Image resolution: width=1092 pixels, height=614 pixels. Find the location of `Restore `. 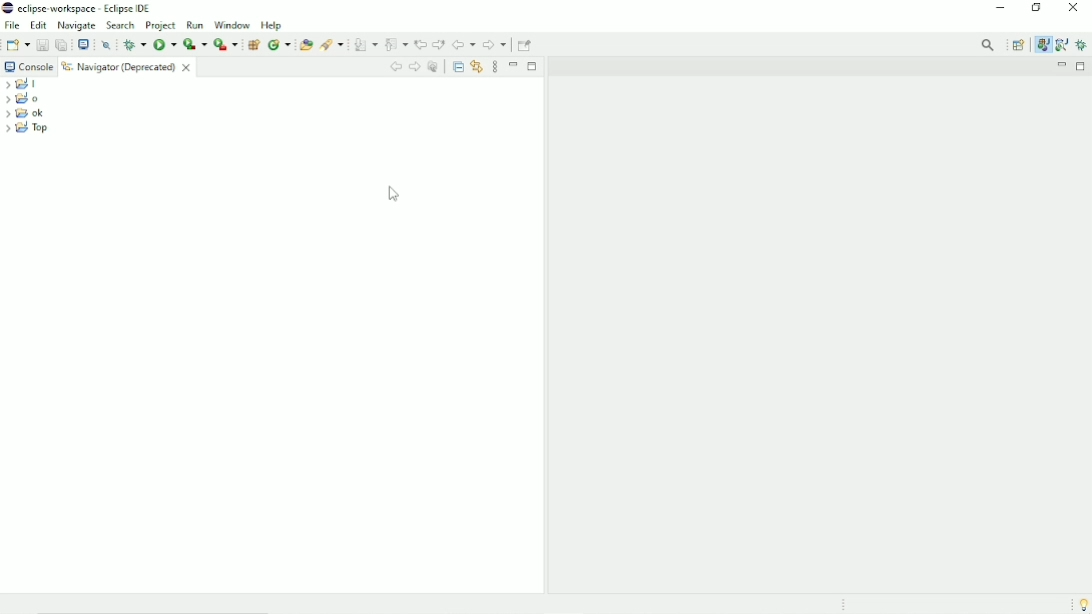

Restore  is located at coordinates (1040, 9).